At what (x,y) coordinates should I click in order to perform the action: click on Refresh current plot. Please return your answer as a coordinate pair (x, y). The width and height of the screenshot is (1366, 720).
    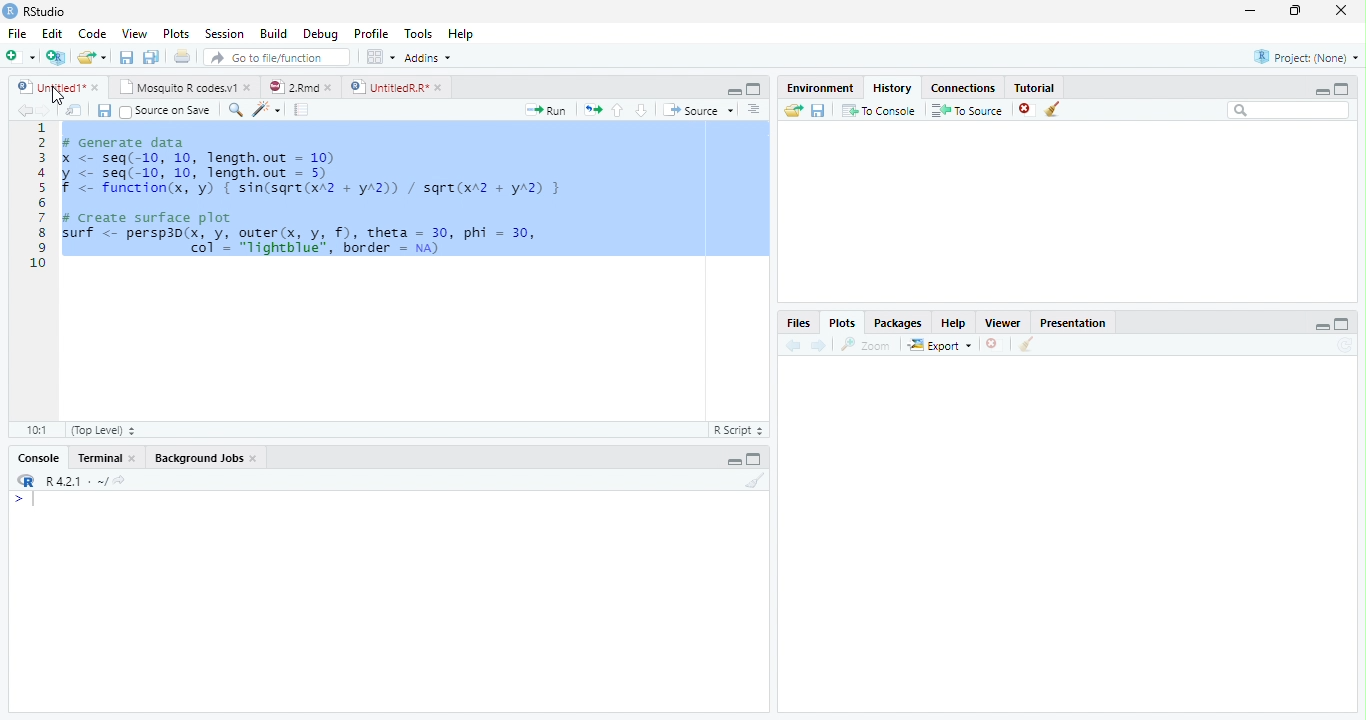
    Looking at the image, I should click on (1347, 345).